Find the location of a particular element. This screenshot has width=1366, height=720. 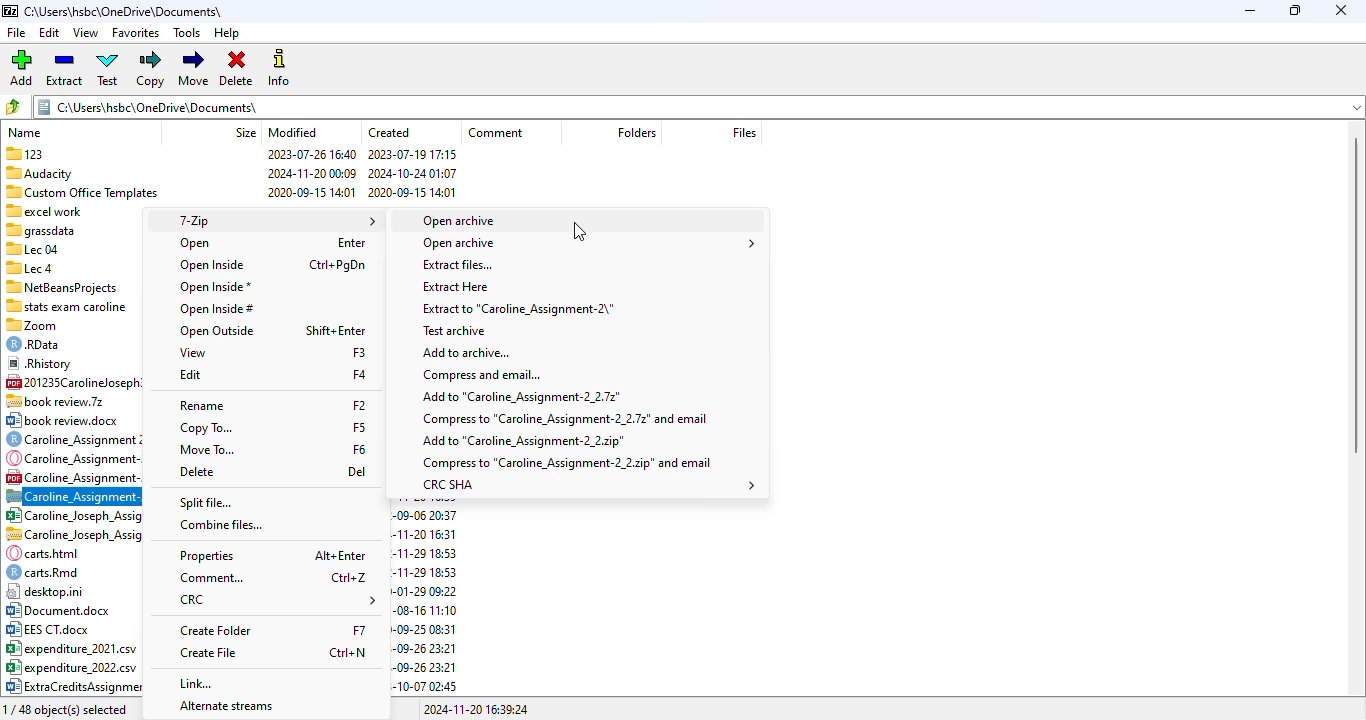

close is located at coordinates (1341, 10).